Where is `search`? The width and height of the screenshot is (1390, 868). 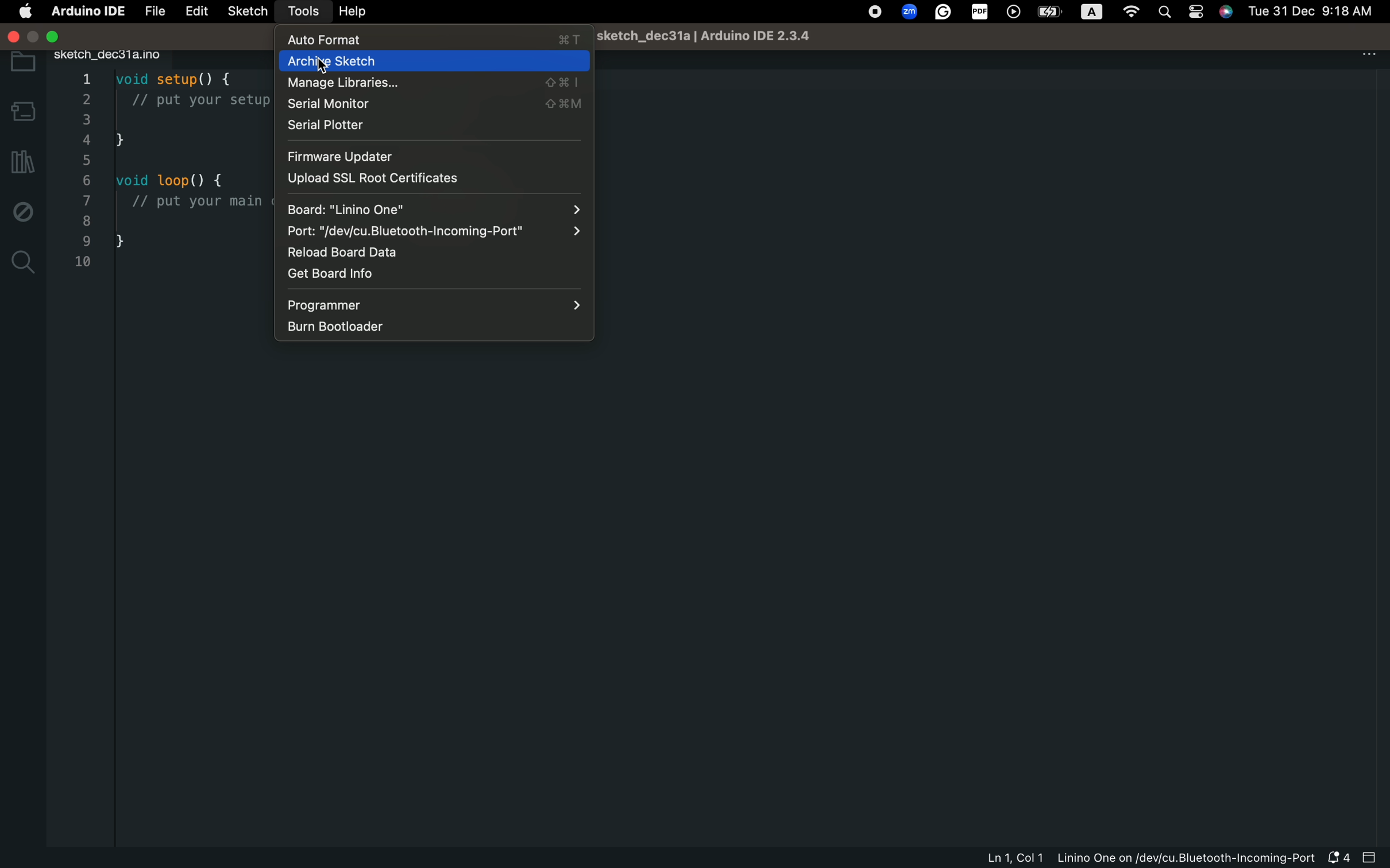
search is located at coordinates (1165, 14).